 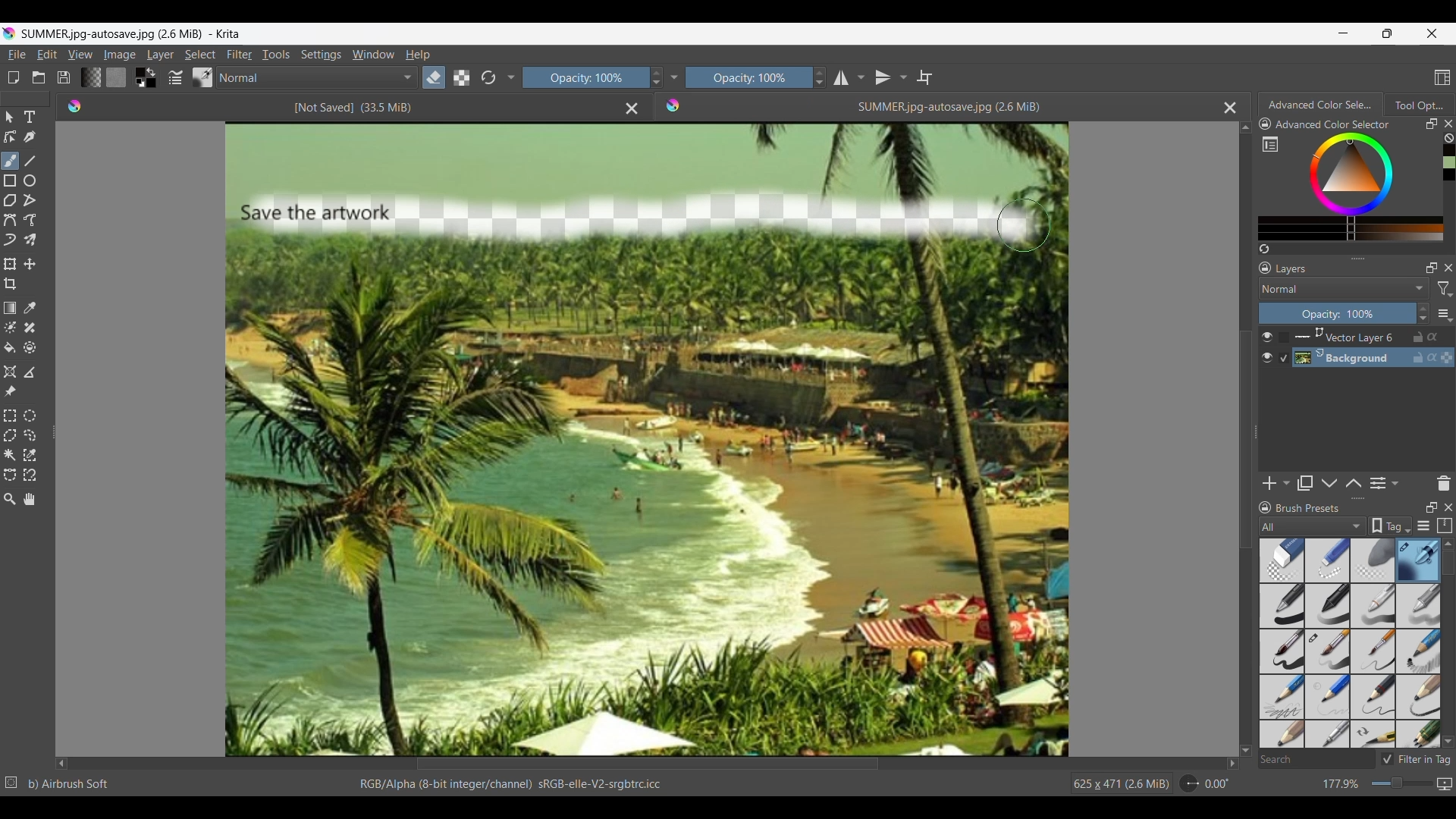 I want to click on Draw a gradient, so click(x=11, y=307).